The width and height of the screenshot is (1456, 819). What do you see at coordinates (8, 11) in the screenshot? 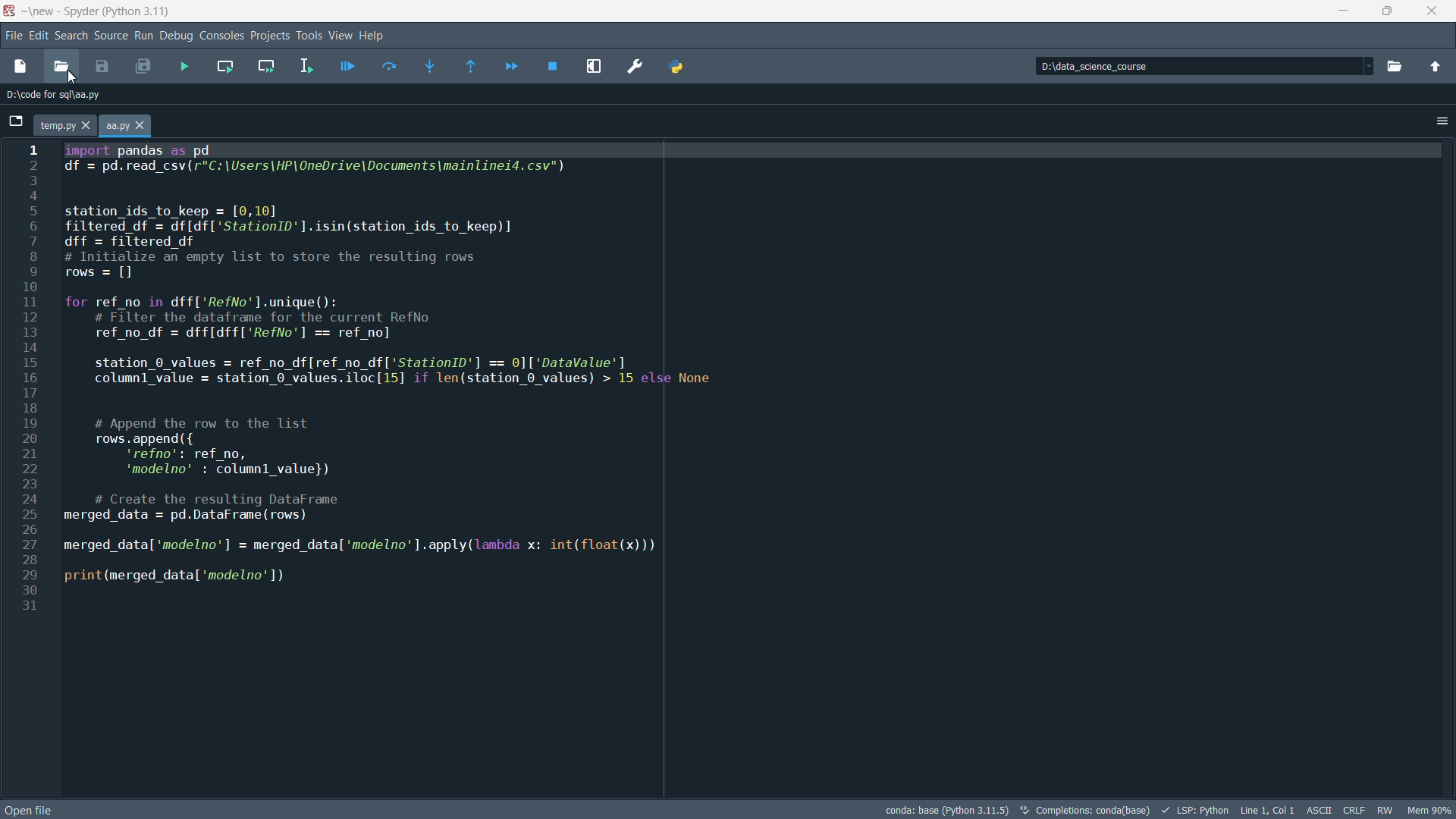
I see `app icon` at bounding box center [8, 11].